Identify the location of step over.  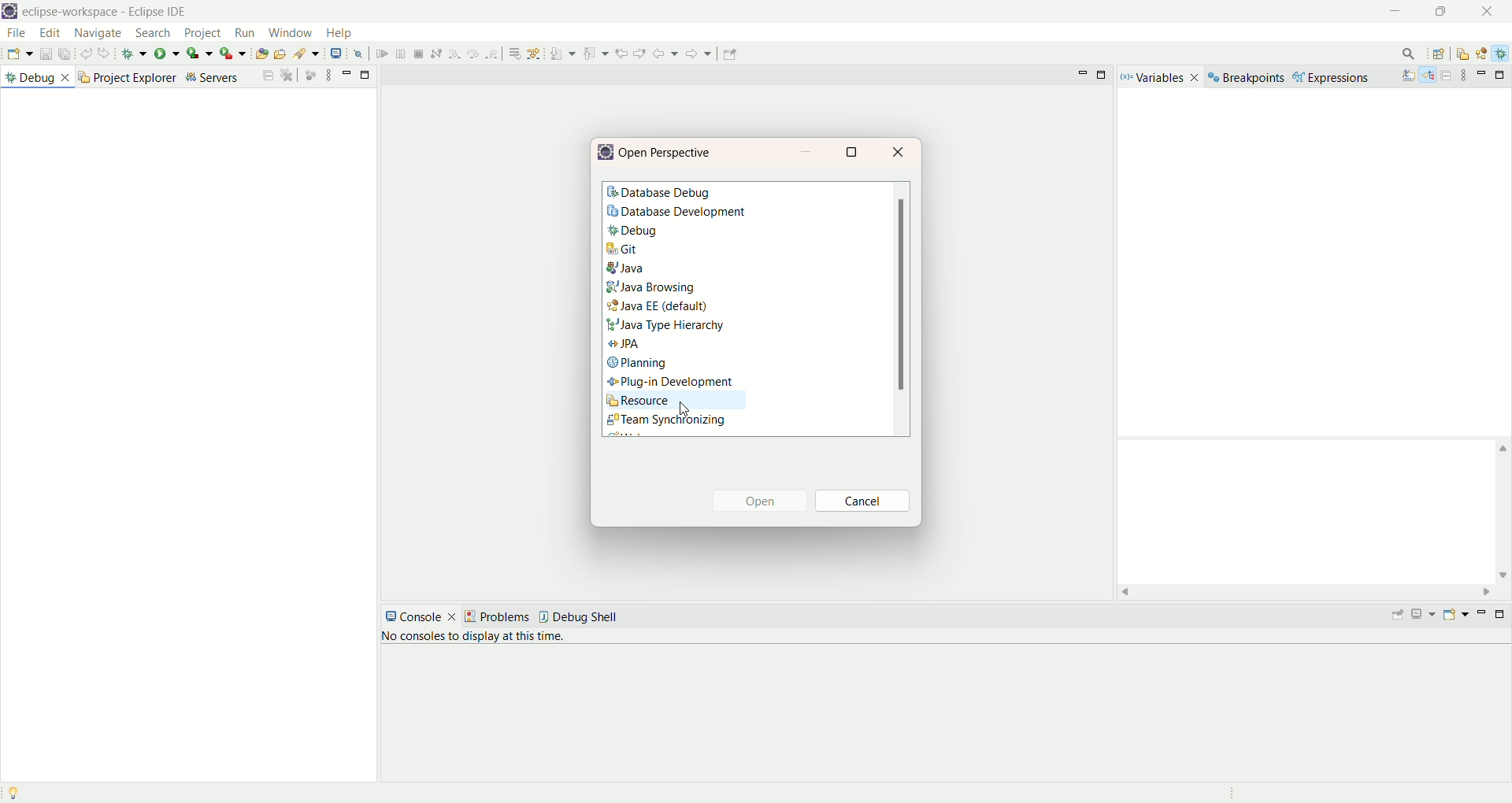
(587, 54).